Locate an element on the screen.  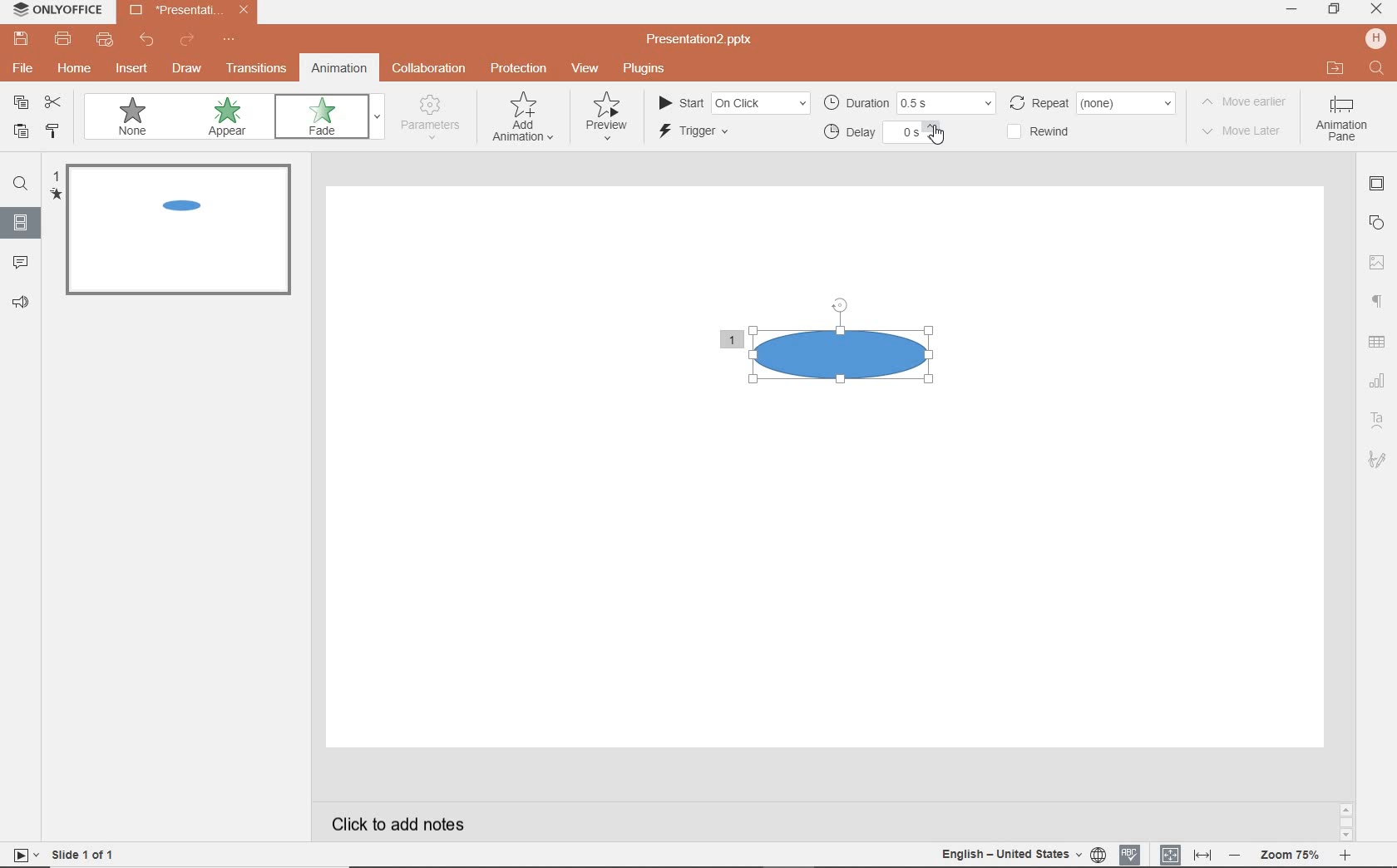
collaboration is located at coordinates (432, 70).